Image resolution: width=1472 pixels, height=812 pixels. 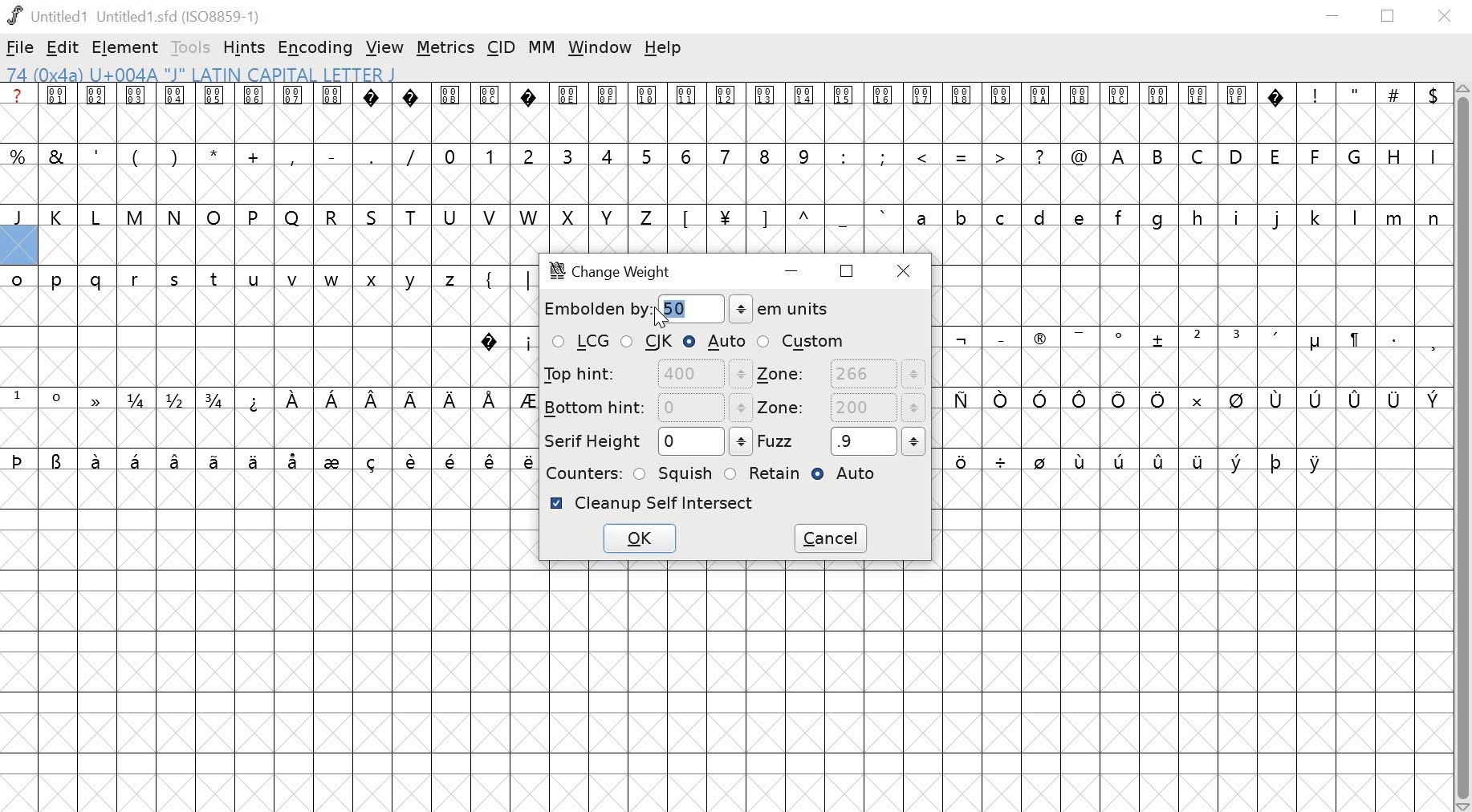 What do you see at coordinates (645, 442) in the screenshot?
I see `SERIF HEIGHT` at bounding box center [645, 442].